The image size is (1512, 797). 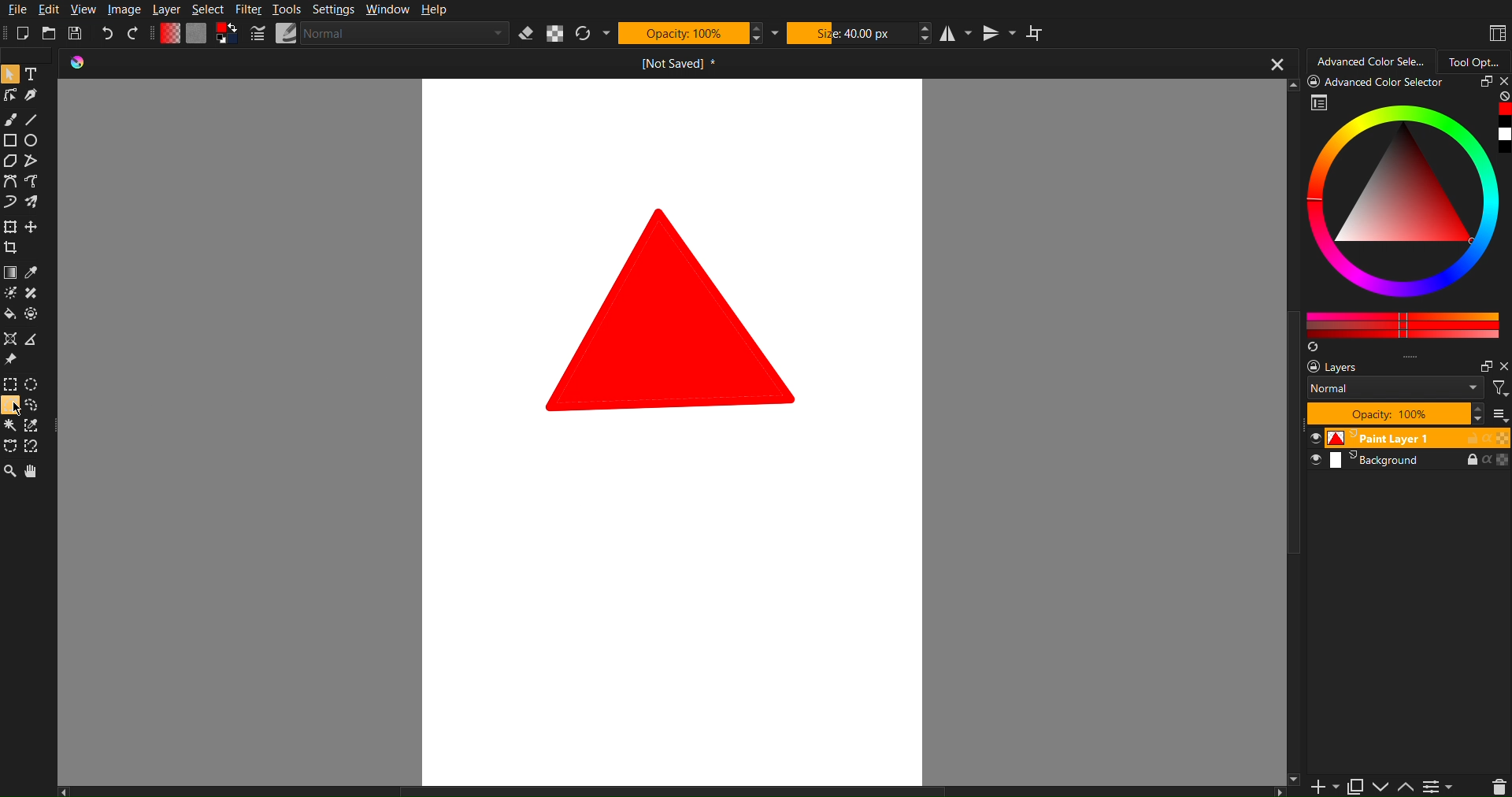 I want to click on Brush Settings, so click(x=374, y=35).